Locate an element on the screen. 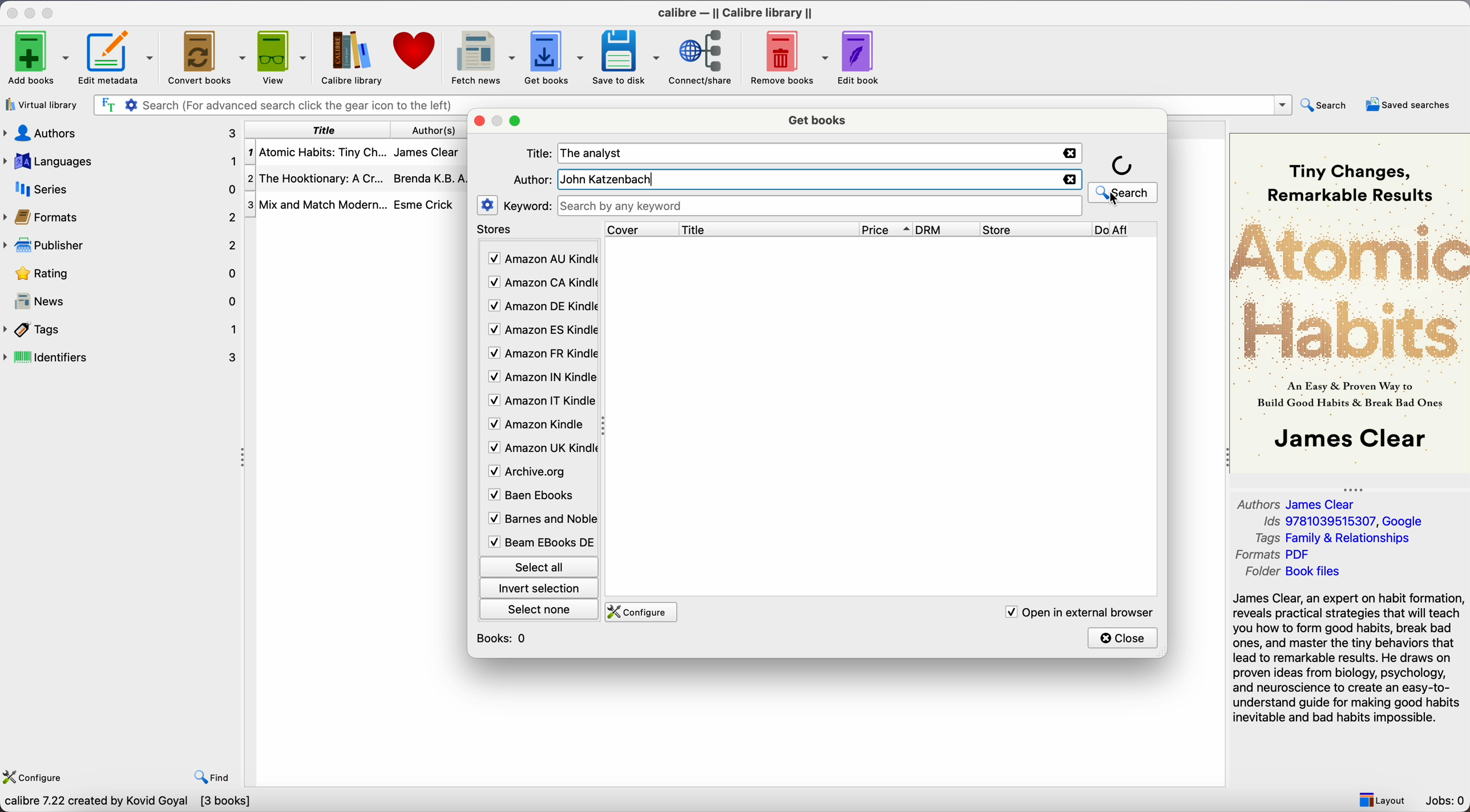  clear is located at coordinates (1071, 180).